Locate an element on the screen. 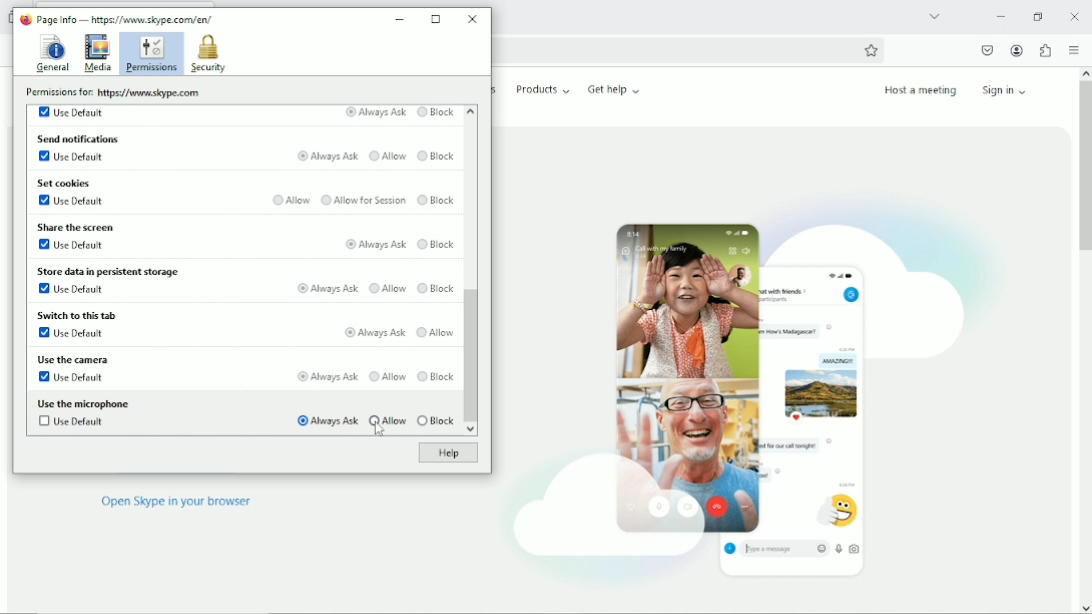 Image resolution: width=1092 pixels, height=614 pixels. Block is located at coordinates (436, 421).